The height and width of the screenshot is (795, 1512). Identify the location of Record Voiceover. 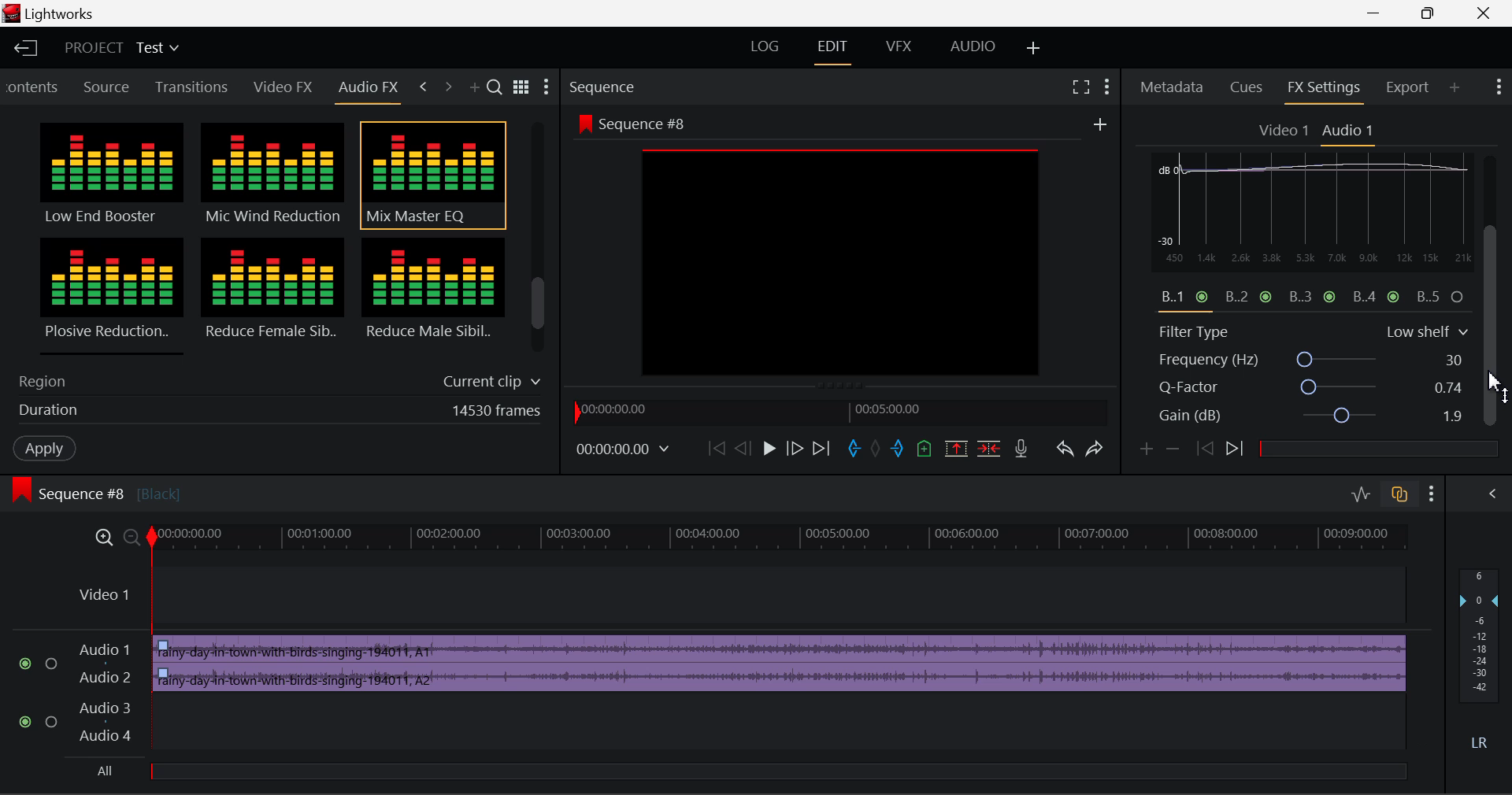
(1020, 449).